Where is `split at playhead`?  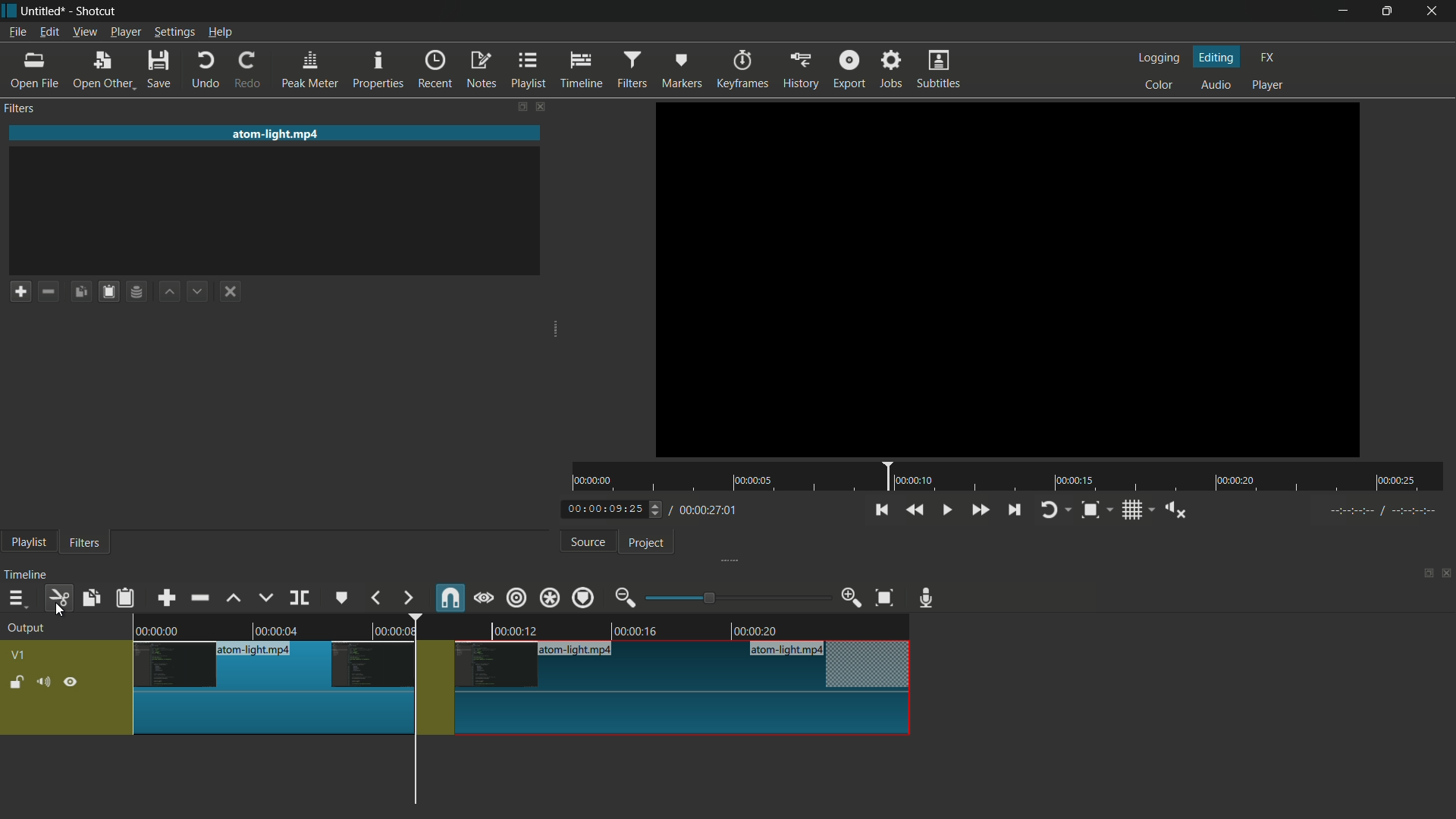
split at playhead is located at coordinates (300, 598).